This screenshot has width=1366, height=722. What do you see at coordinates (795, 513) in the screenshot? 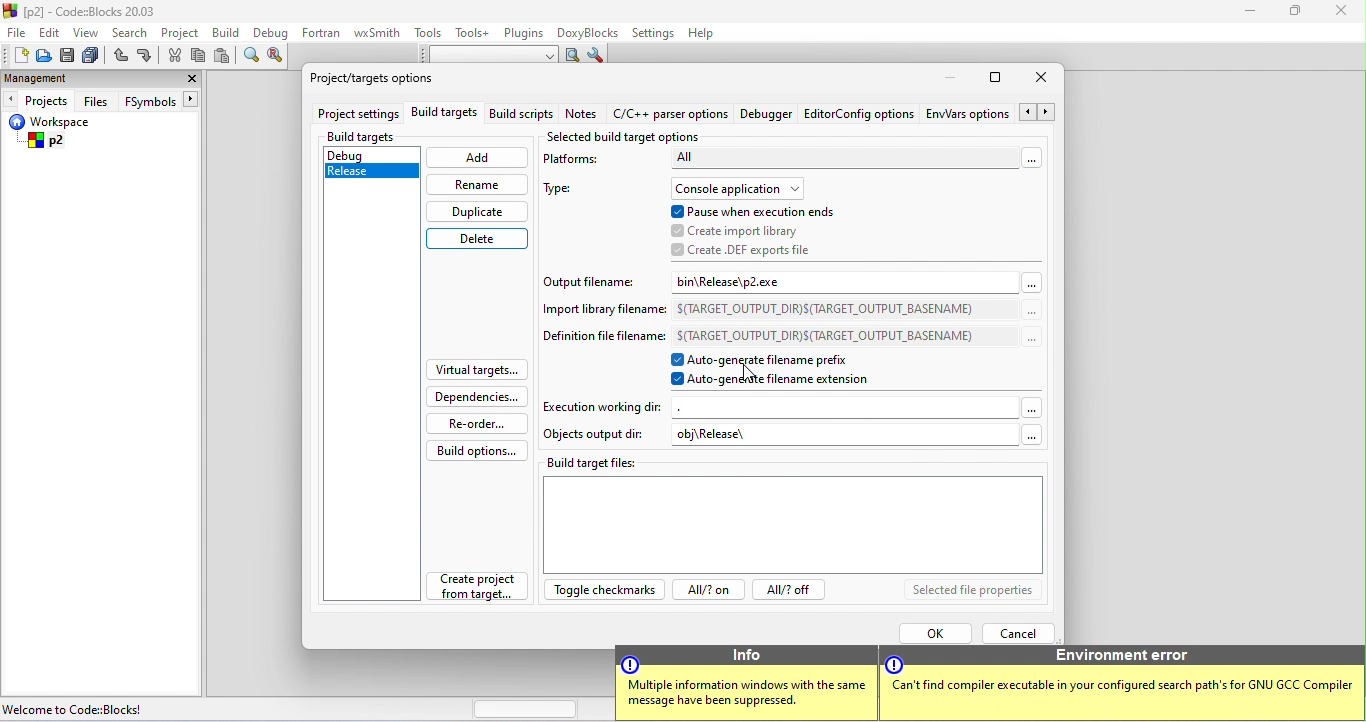
I see `build target files` at bounding box center [795, 513].